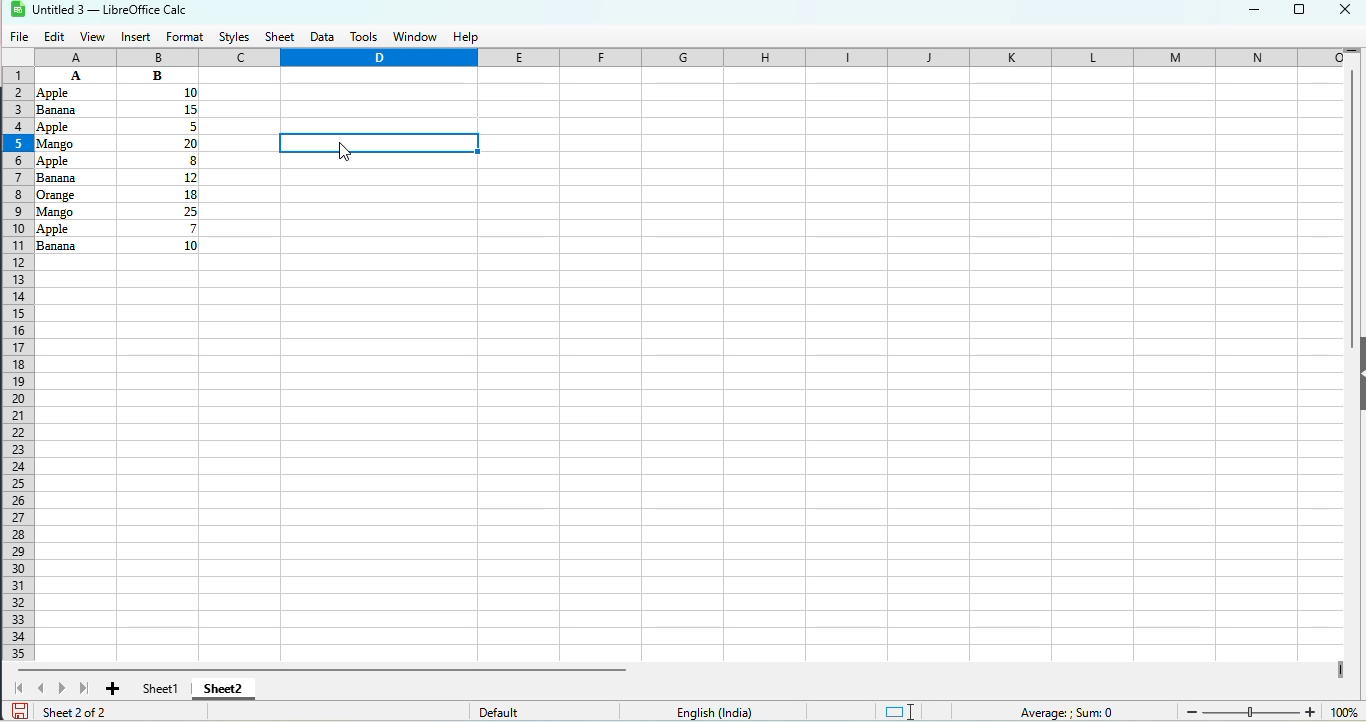  Describe the element at coordinates (135, 37) in the screenshot. I see `insert` at that location.